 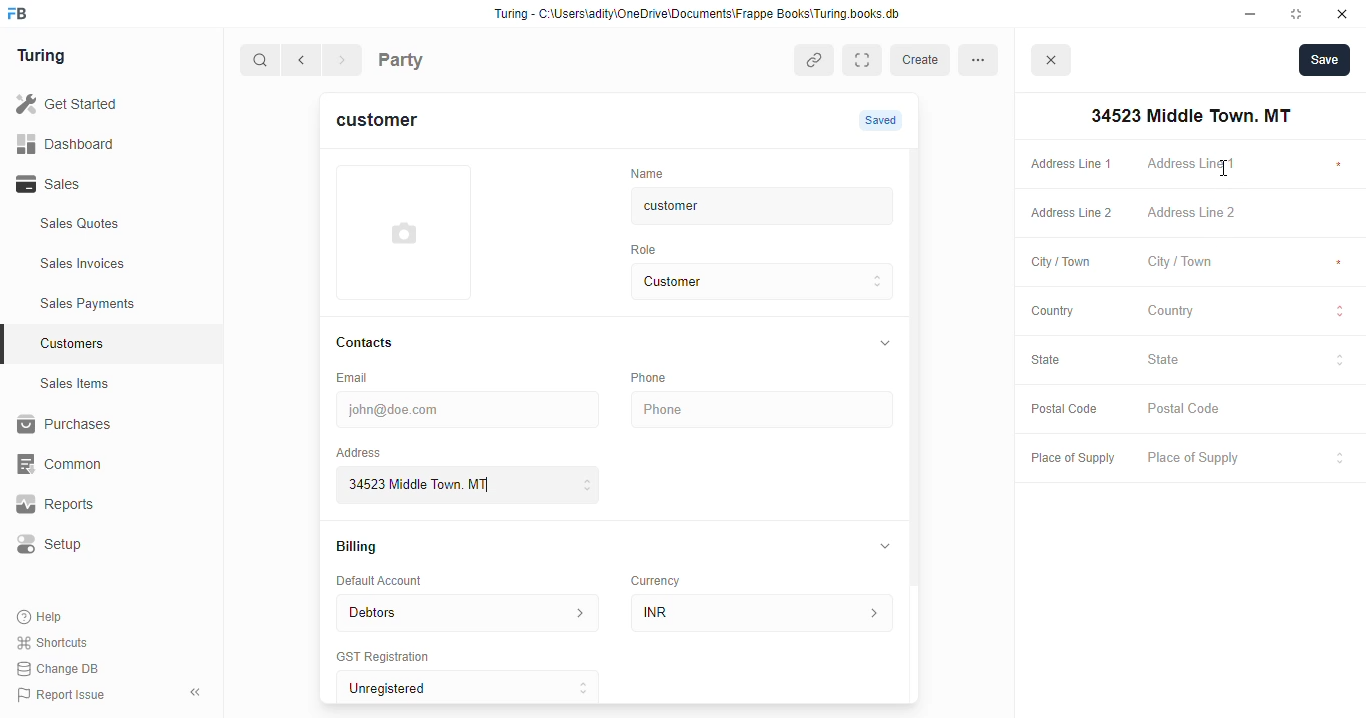 What do you see at coordinates (984, 59) in the screenshot?
I see `more options` at bounding box center [984, 59].